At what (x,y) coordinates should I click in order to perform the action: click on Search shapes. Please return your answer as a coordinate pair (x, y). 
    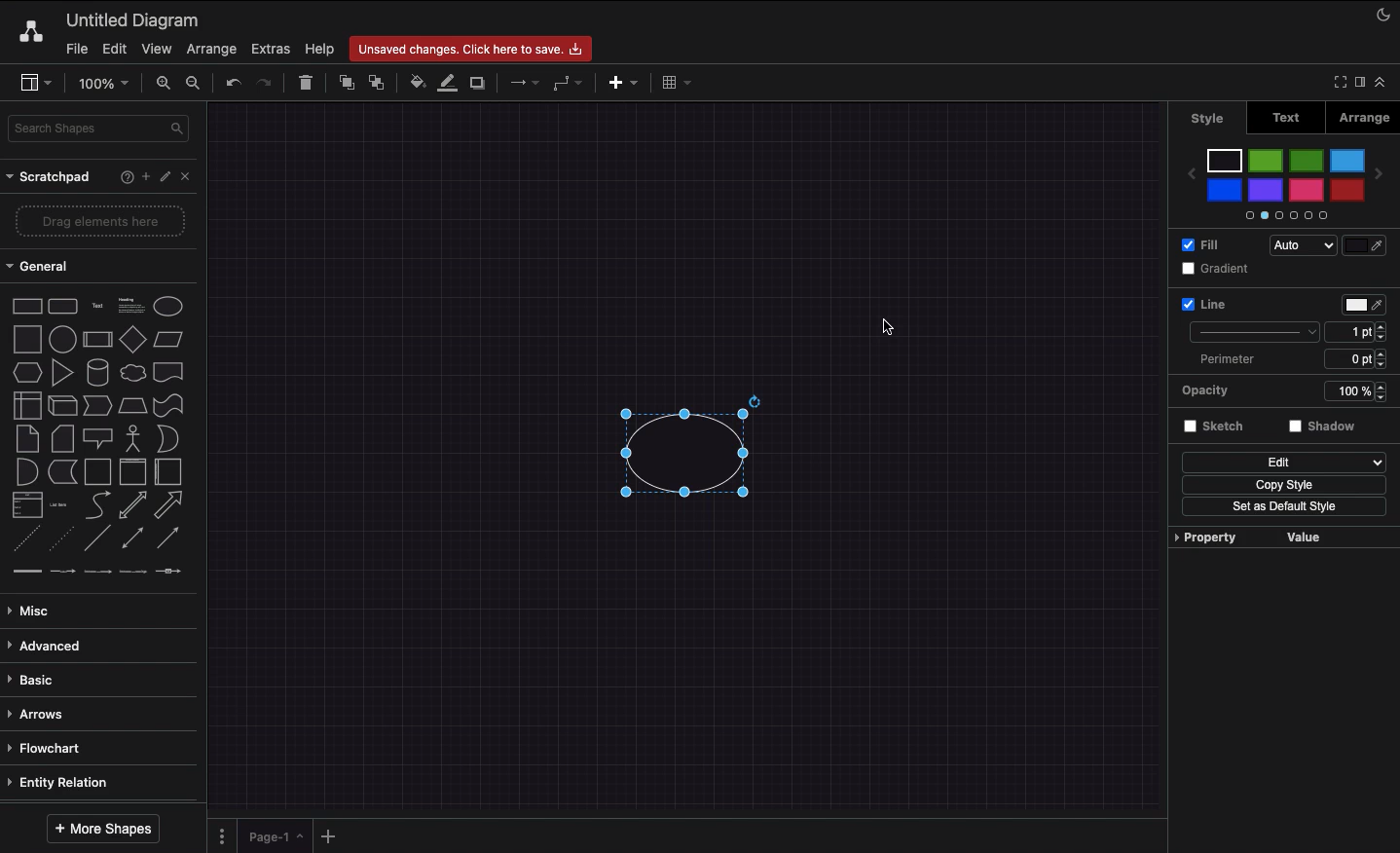
    Looking at the image, I should click on (100, 131).